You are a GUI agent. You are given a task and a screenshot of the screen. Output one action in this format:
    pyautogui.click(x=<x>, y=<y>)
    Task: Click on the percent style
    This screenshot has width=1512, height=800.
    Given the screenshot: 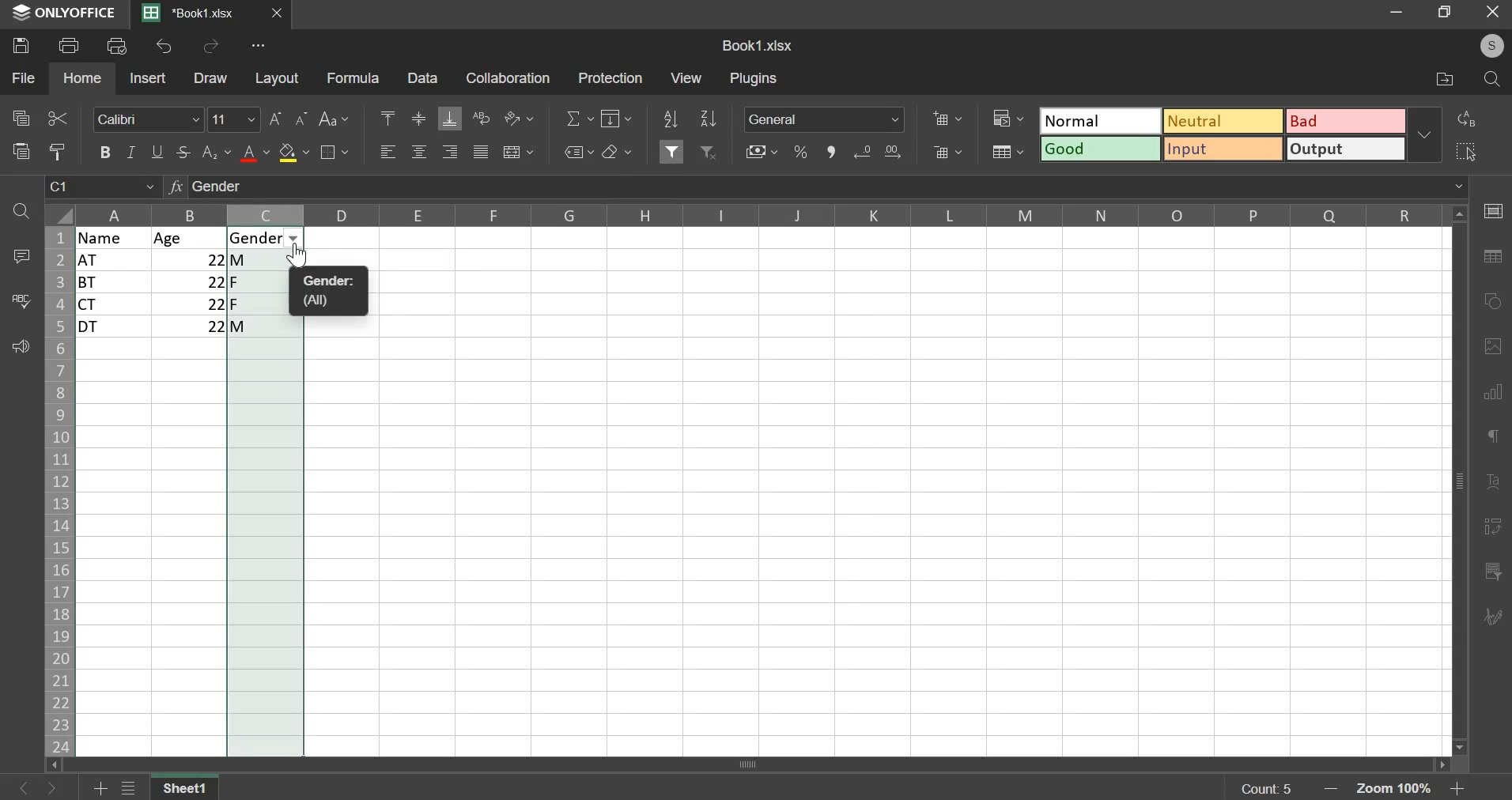 What is the action you would take?
    pyautogui.click(x=800, y=153)
    